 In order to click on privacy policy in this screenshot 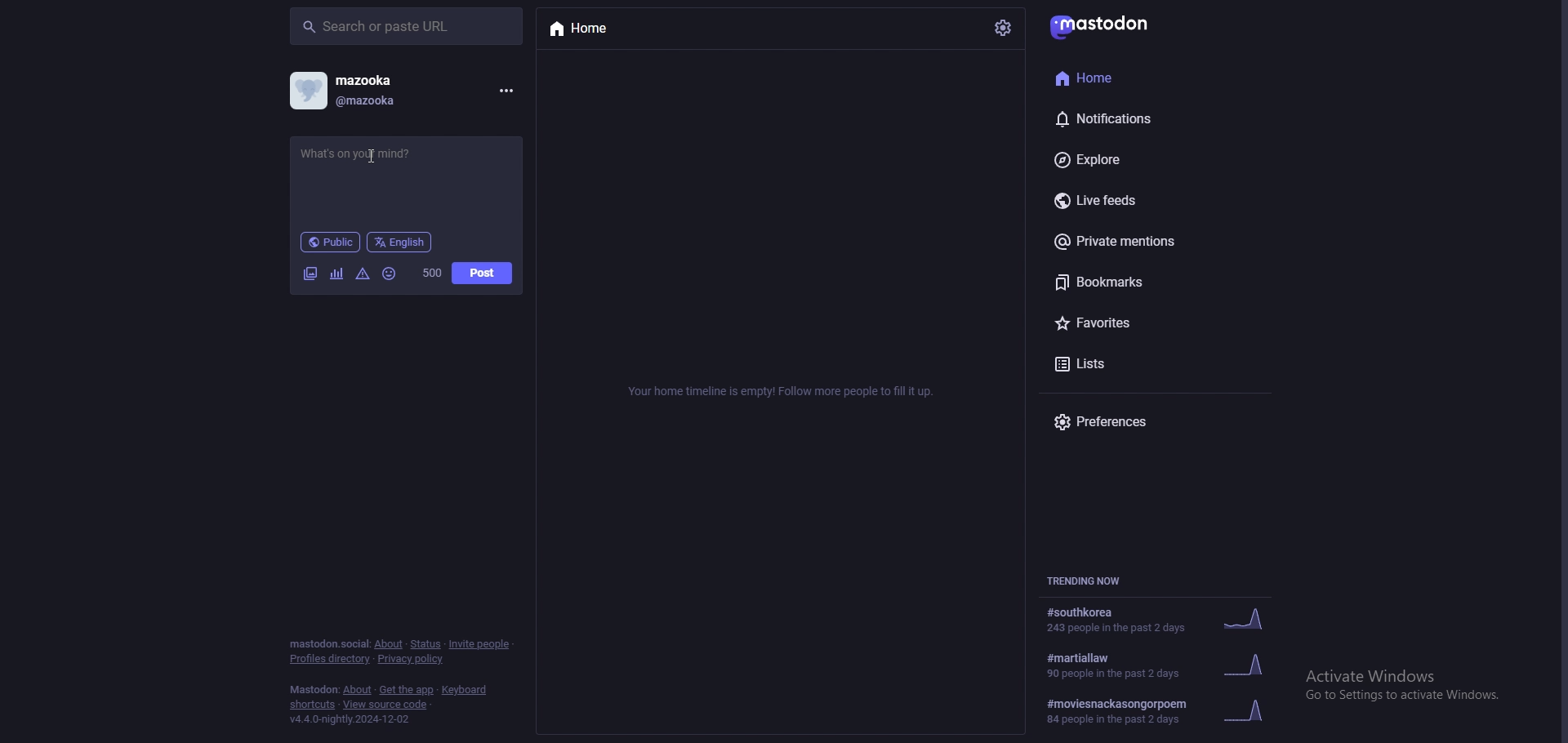, I will do `click(412, 659)`.